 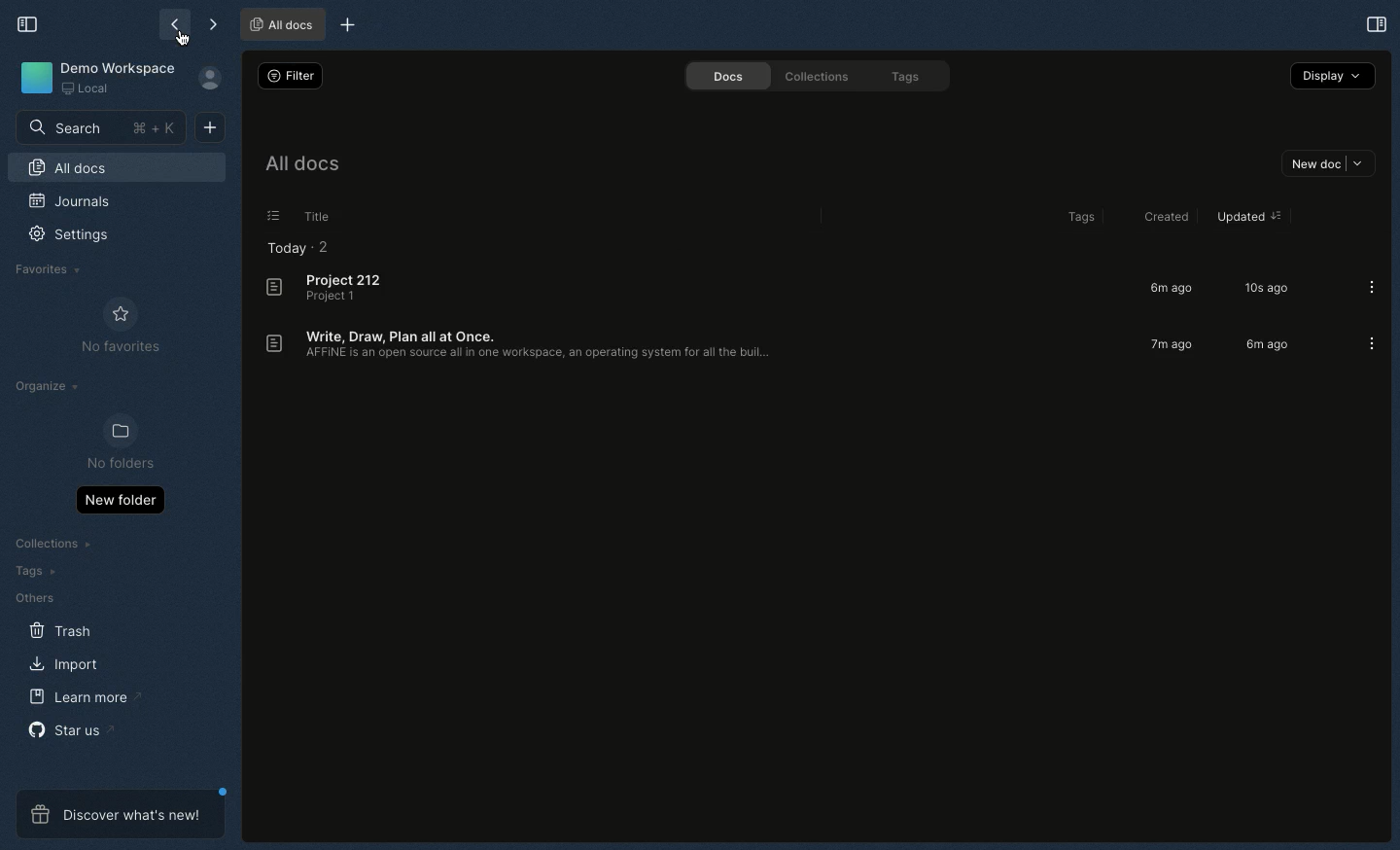 What do you see at coordinates (118, 502) in the screenshot?
I see `New folder` at bounding box center [118, 502].